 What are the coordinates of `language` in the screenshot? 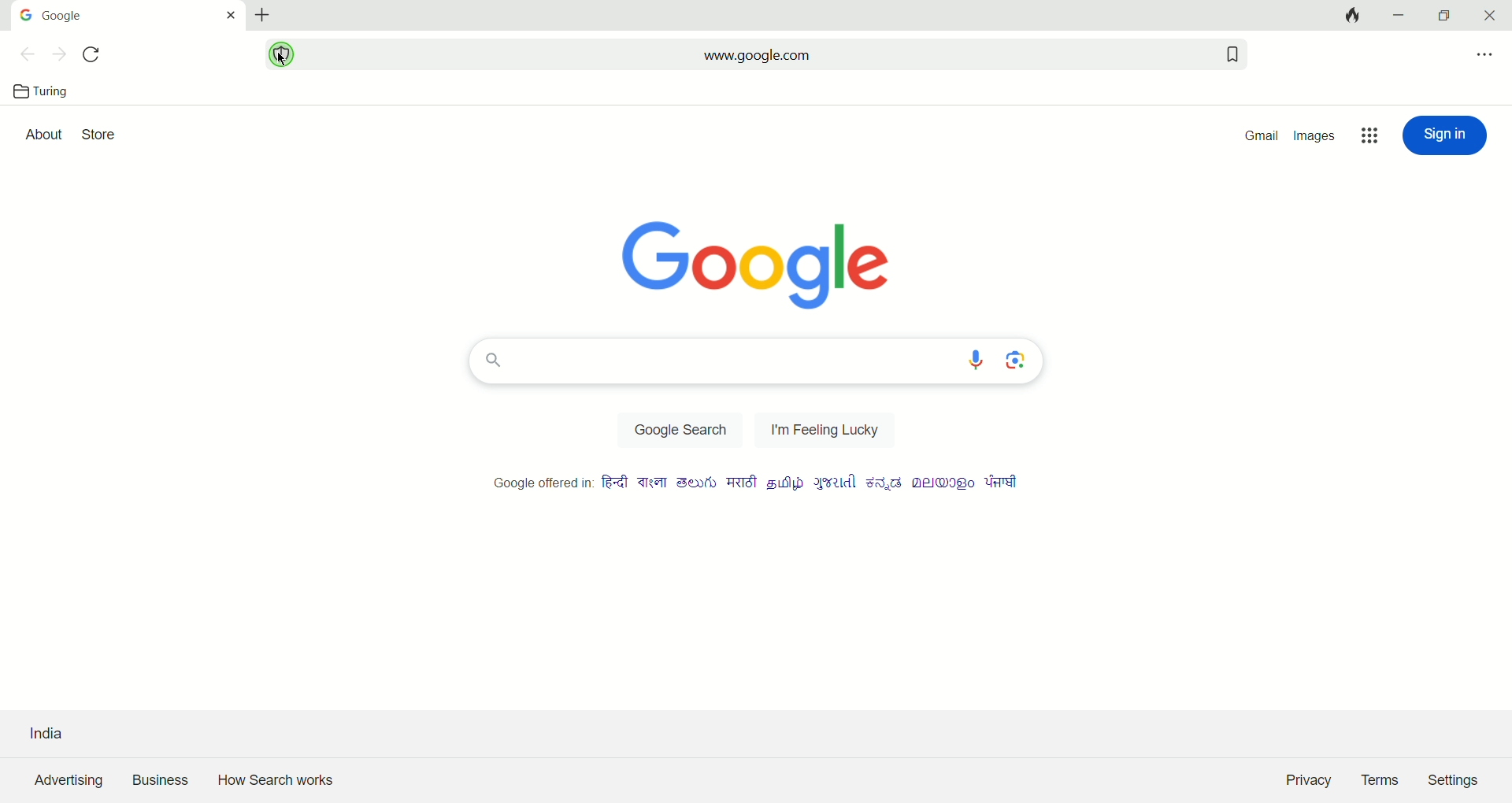 It's located at (785, 484).